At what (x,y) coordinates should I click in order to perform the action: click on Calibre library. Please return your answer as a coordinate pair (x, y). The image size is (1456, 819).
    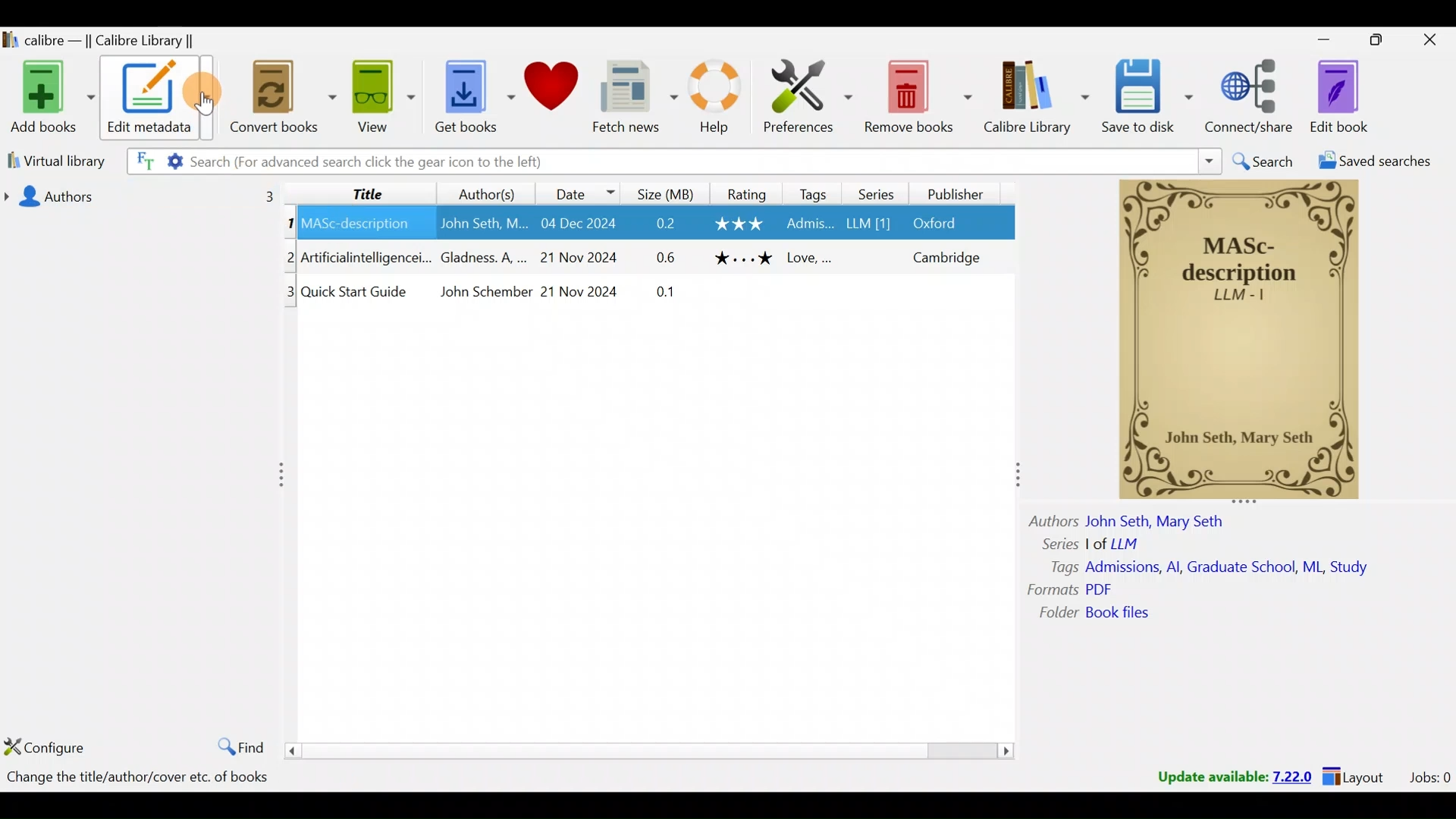
    Looking at the image, I should click on (1039, 101).